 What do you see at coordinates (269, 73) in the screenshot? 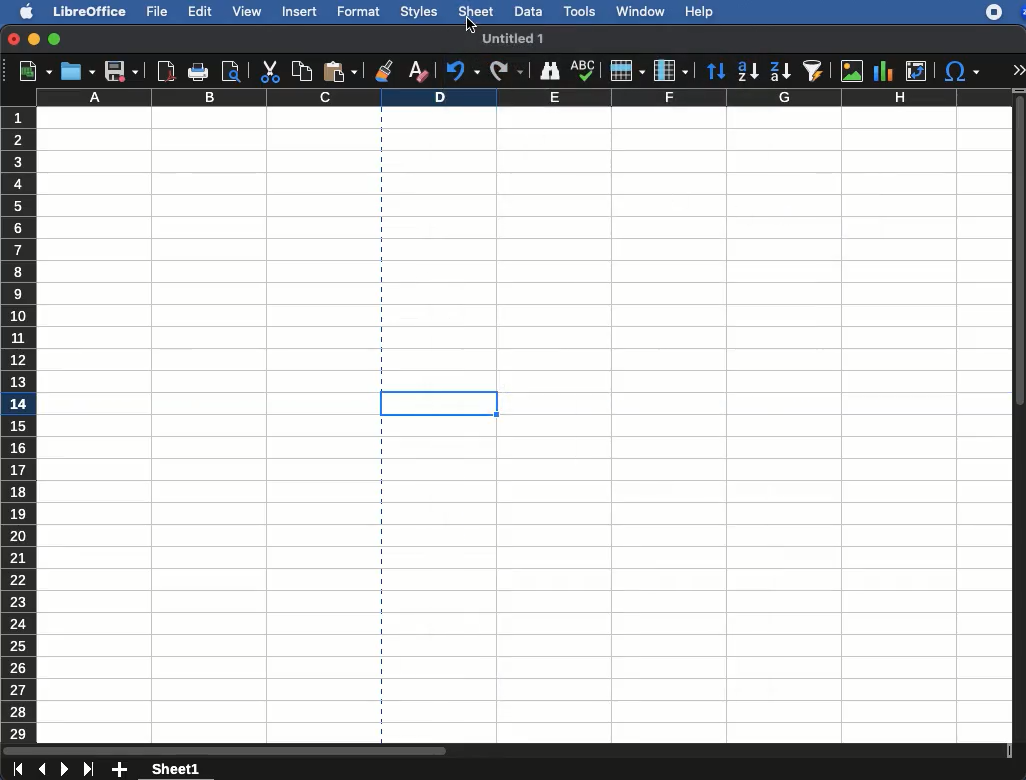
I see `cut` at bounding box center [269, 73].